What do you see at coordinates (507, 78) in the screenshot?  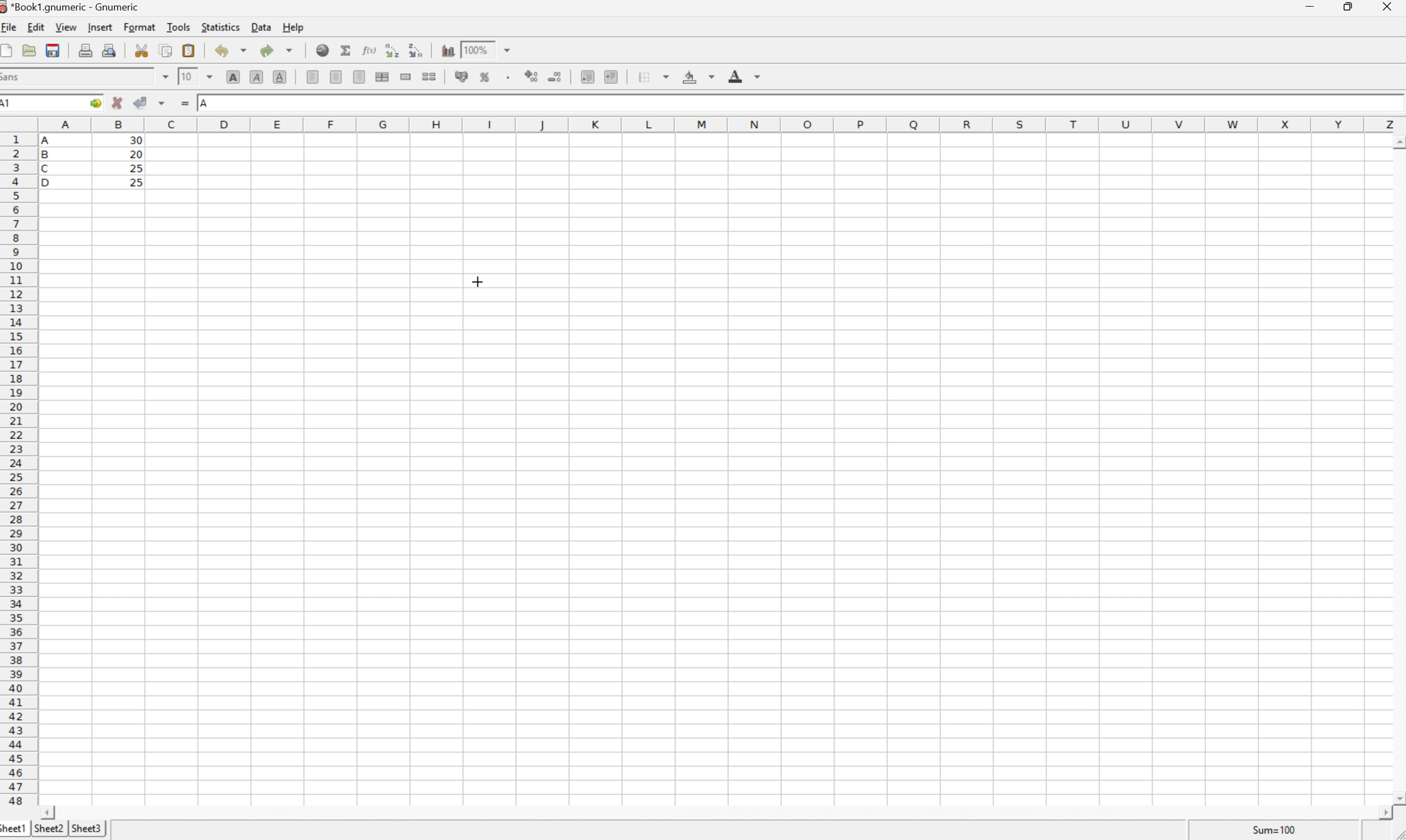 I see `Set the format of the selected cells to include a thousands separator` at bounding box center [507, 78].